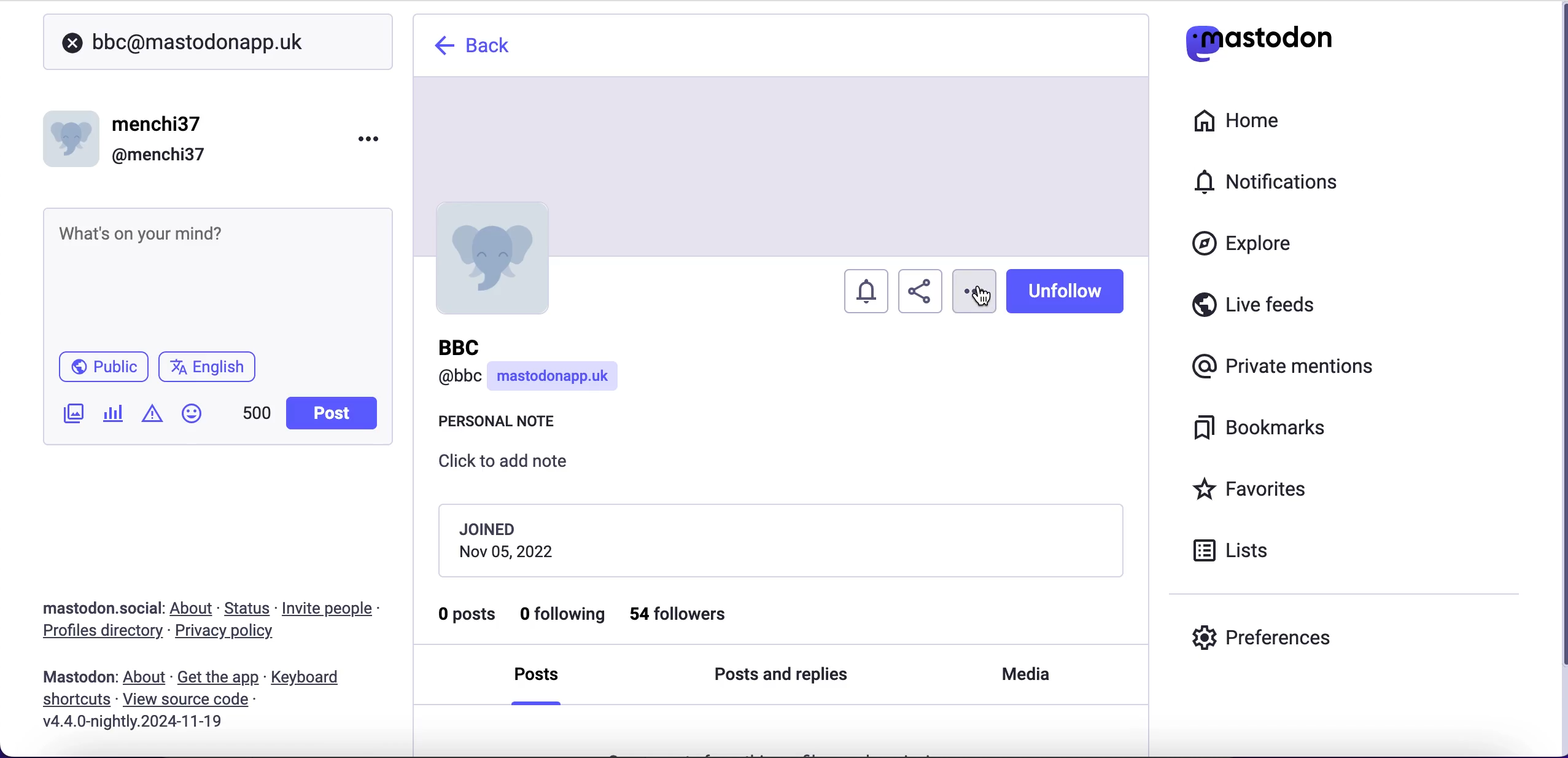 Image resolution: width=1568 pixels, height=758 pixels. I want to click on view source code, so click(190, 700).